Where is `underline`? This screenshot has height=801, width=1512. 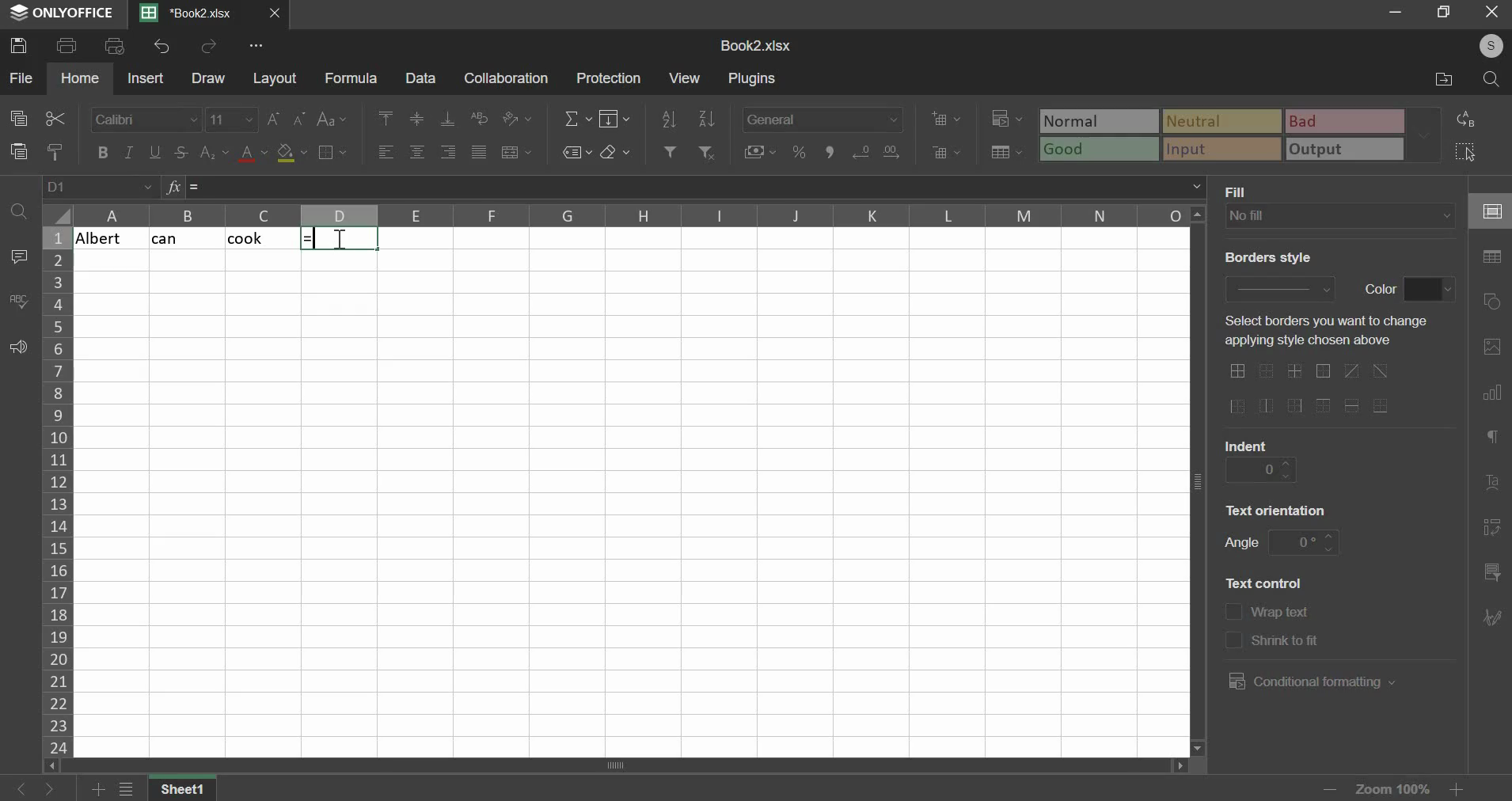 underline is located at coordinates (156, 152).